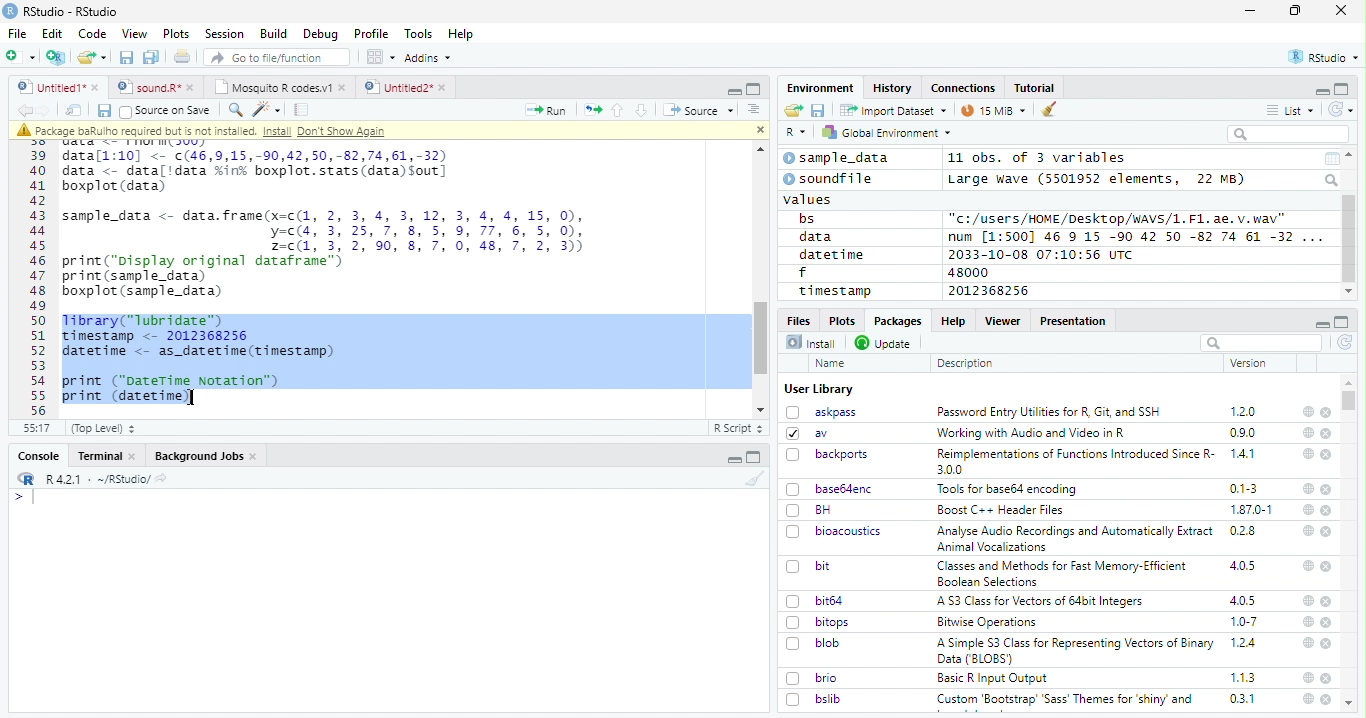 The image size is (1366, 718). I want to click on close, so click(1327, 678).